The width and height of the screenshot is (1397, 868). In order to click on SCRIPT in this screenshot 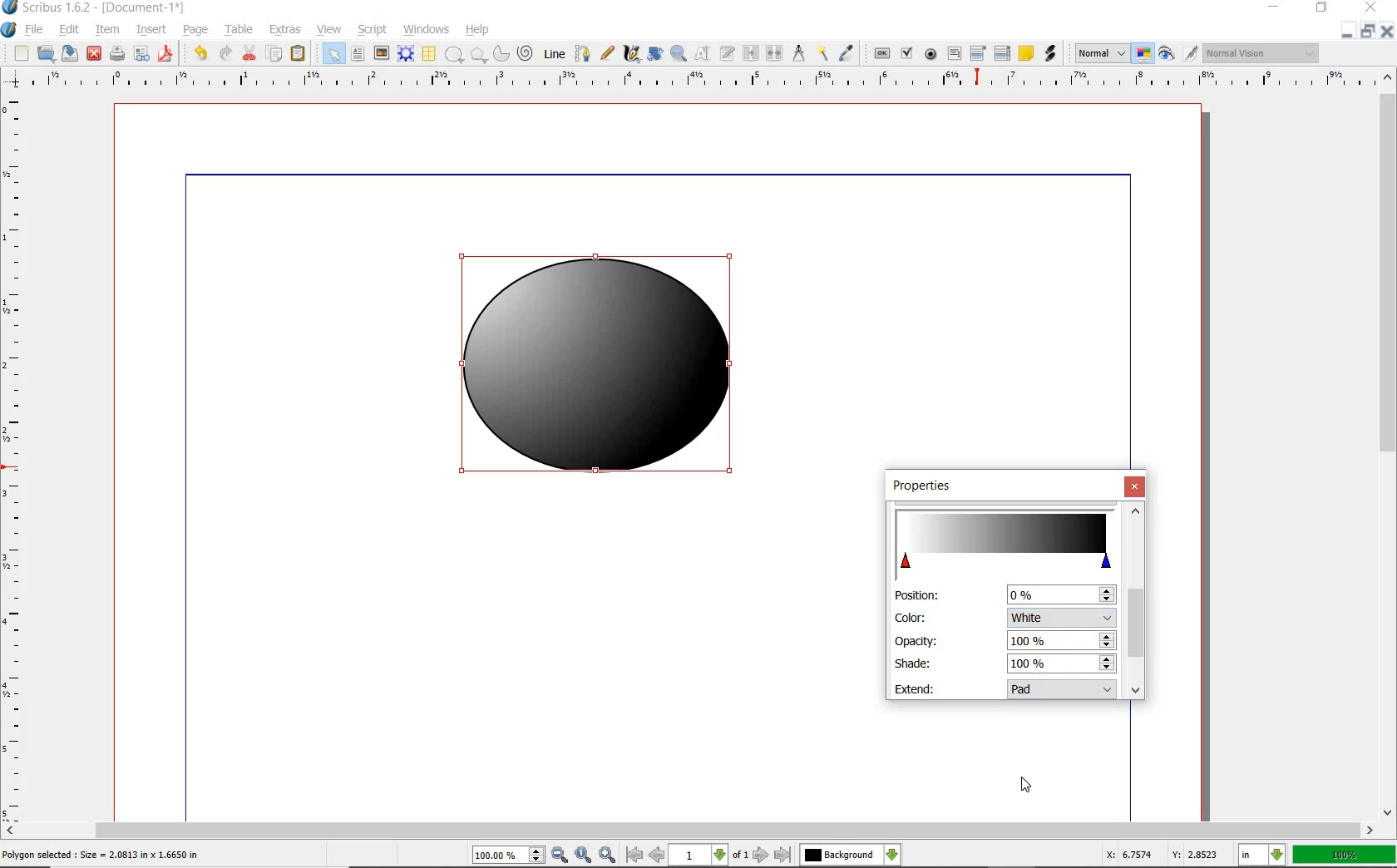, I will do `click(370, 28)`.